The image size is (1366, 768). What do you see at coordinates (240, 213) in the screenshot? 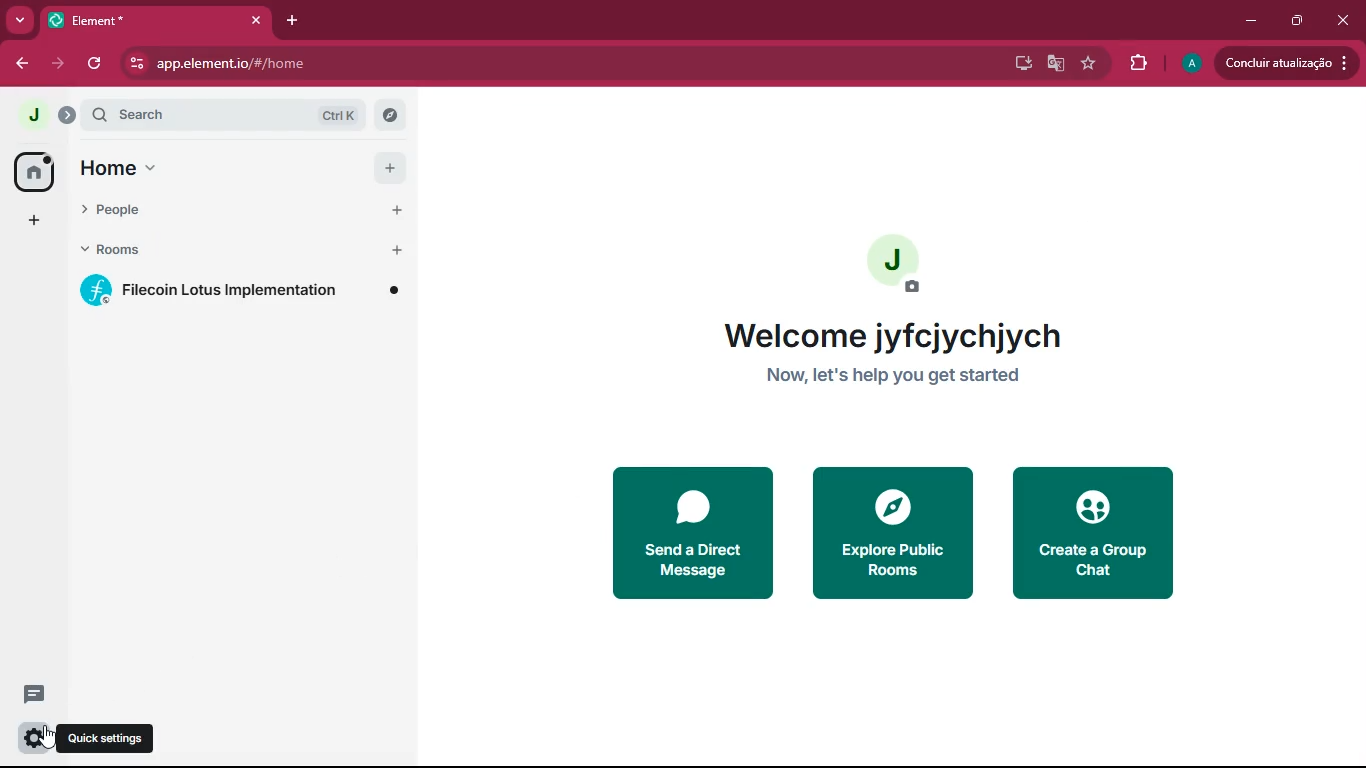
I see `people` at bounding box center [240, 213].